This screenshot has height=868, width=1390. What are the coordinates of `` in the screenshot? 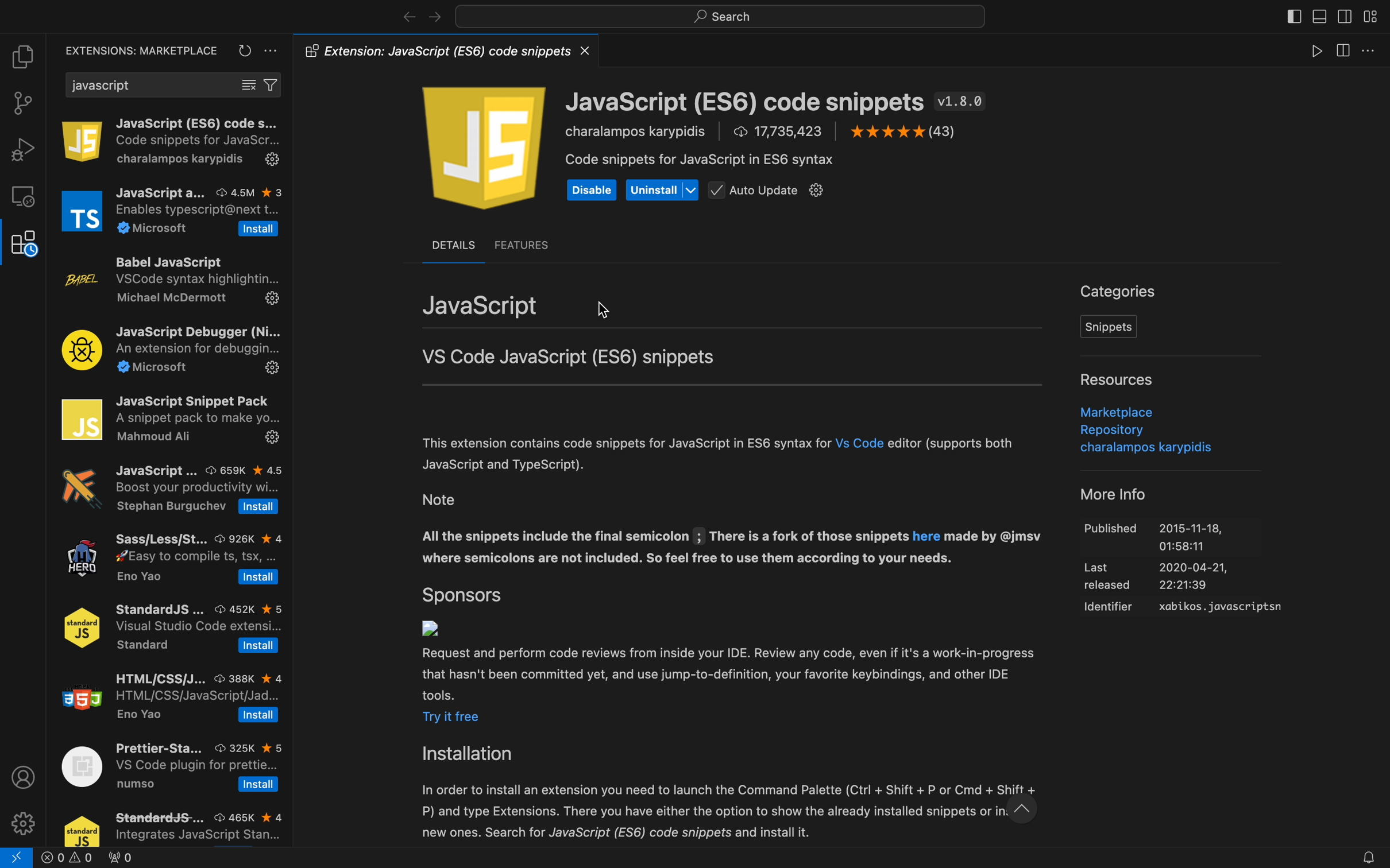 It's located at (905, 133).